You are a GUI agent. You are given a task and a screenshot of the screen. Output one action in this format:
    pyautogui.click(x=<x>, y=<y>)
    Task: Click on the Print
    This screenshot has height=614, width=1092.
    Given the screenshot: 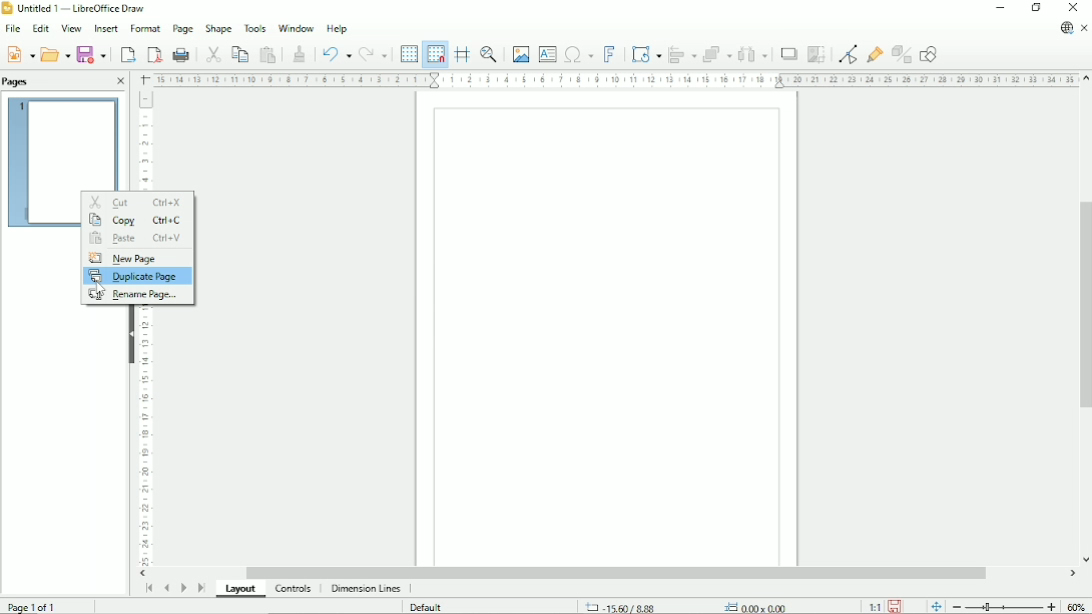 What is the action you would take?
    pyautogui.click(x=182, y=55)
    